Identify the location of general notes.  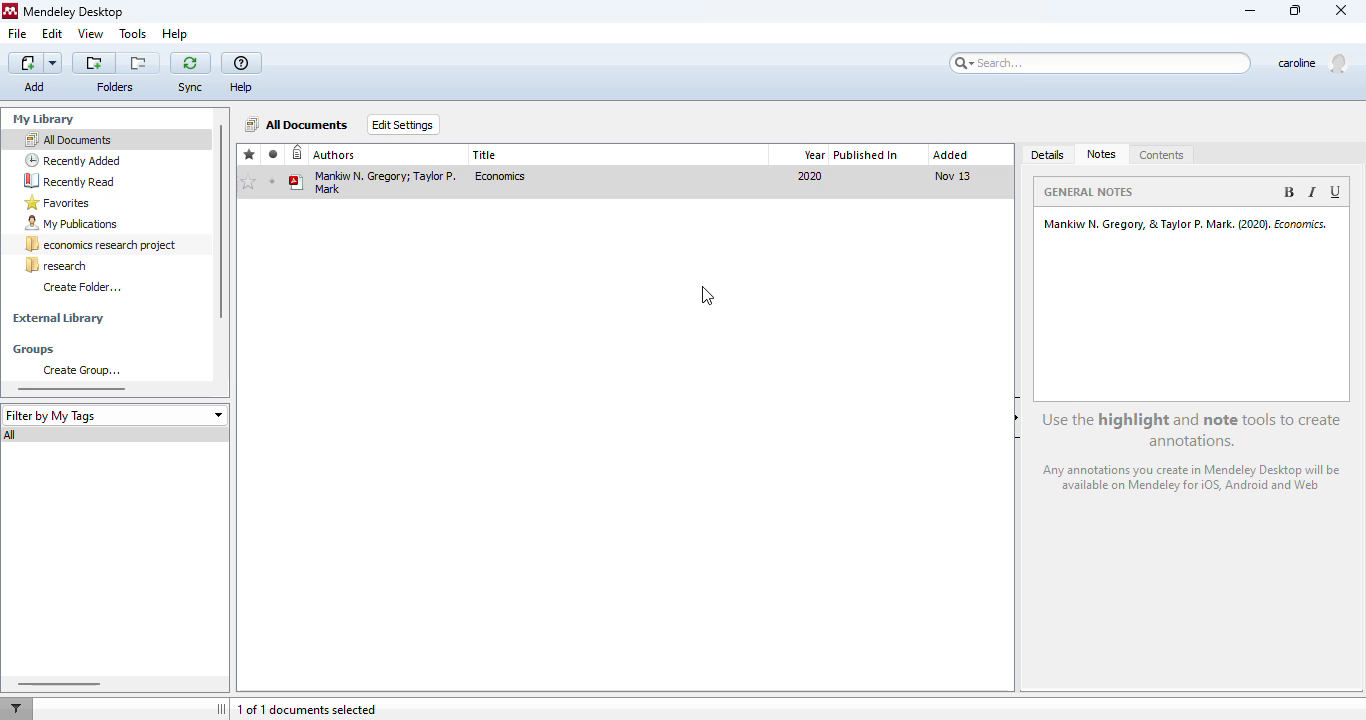
(1092, 191).